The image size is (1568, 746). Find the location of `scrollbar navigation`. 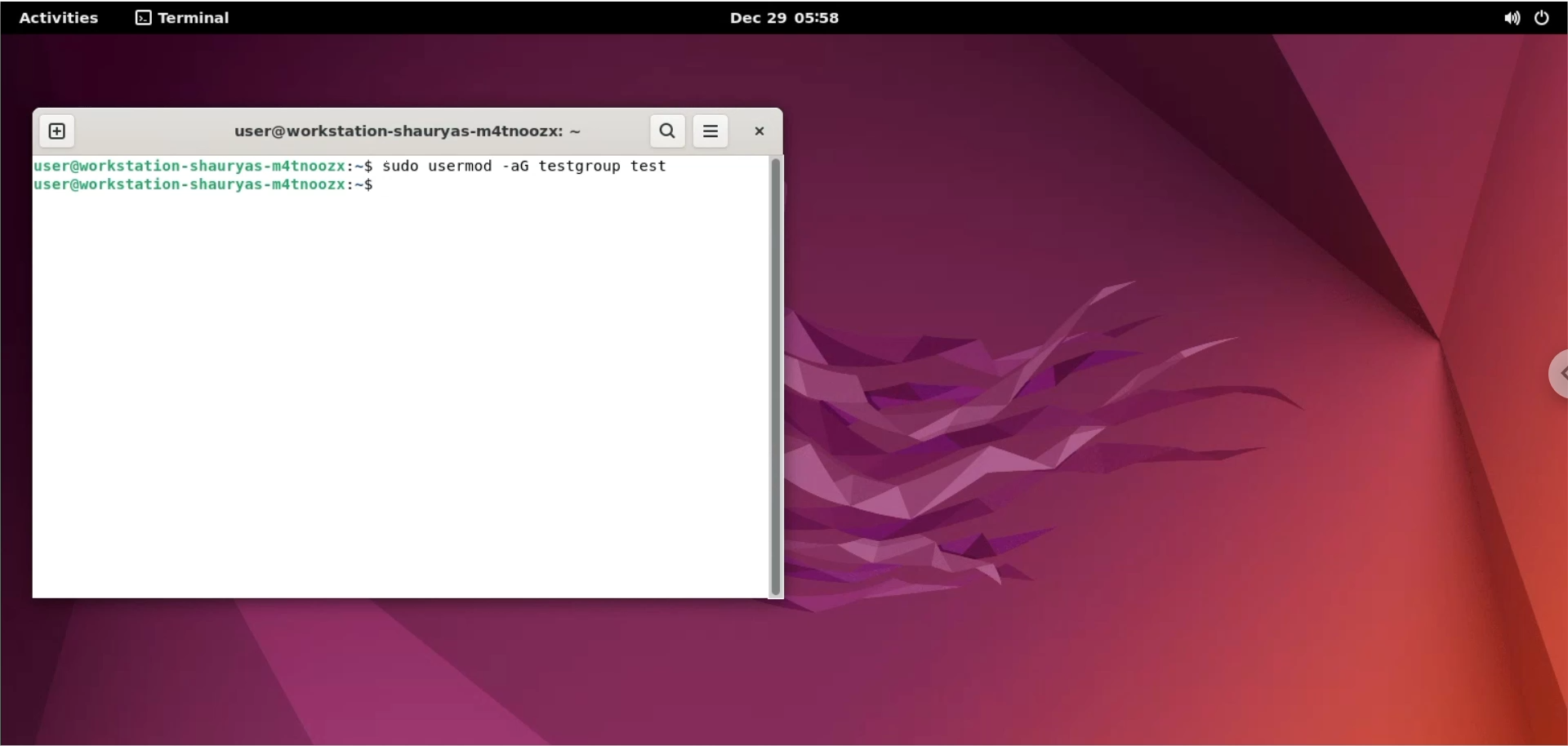

scrollbar navigation is located at coordinates (781, 378).